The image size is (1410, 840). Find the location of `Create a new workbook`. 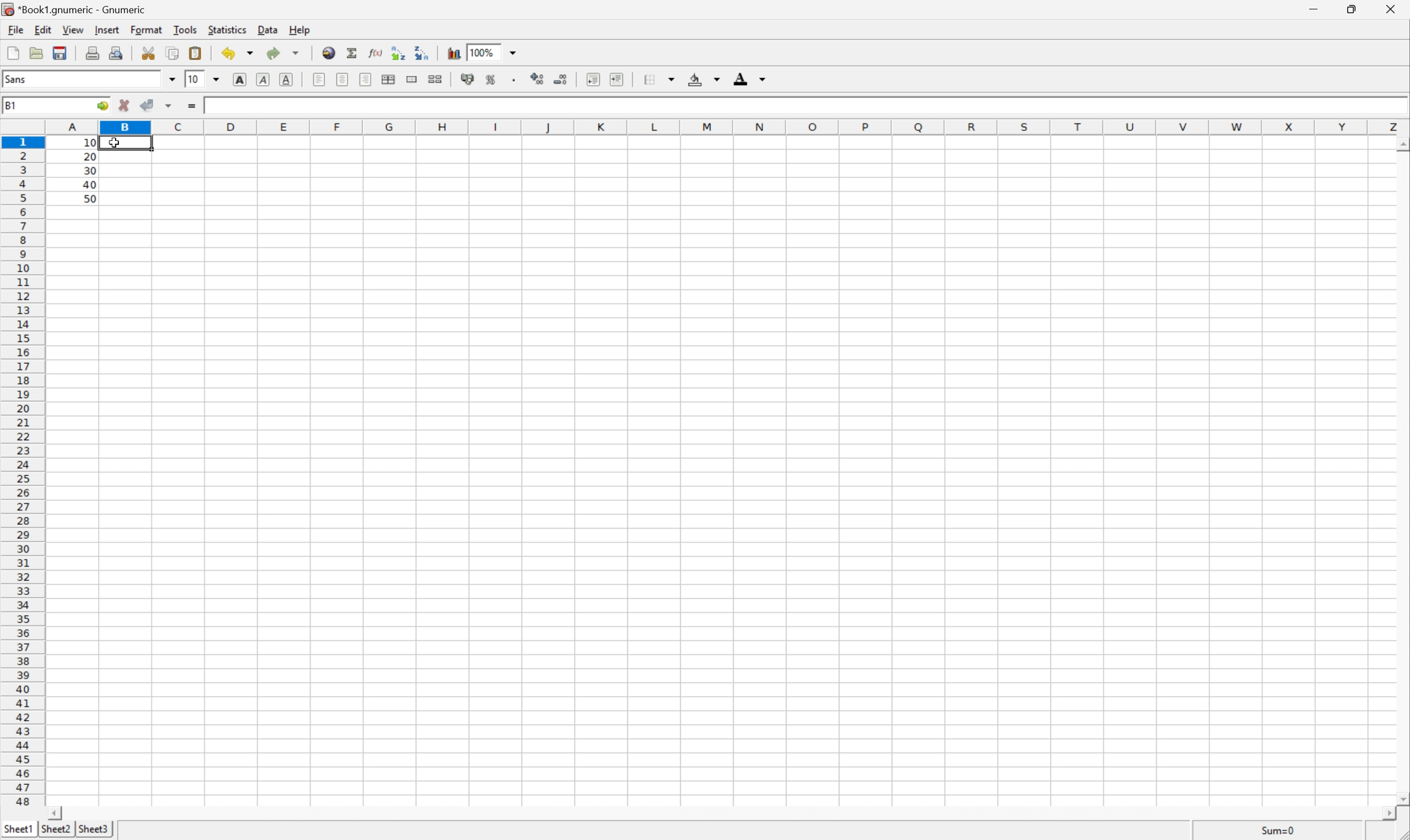

Create a new workbook is located at coordinates (14, 52).